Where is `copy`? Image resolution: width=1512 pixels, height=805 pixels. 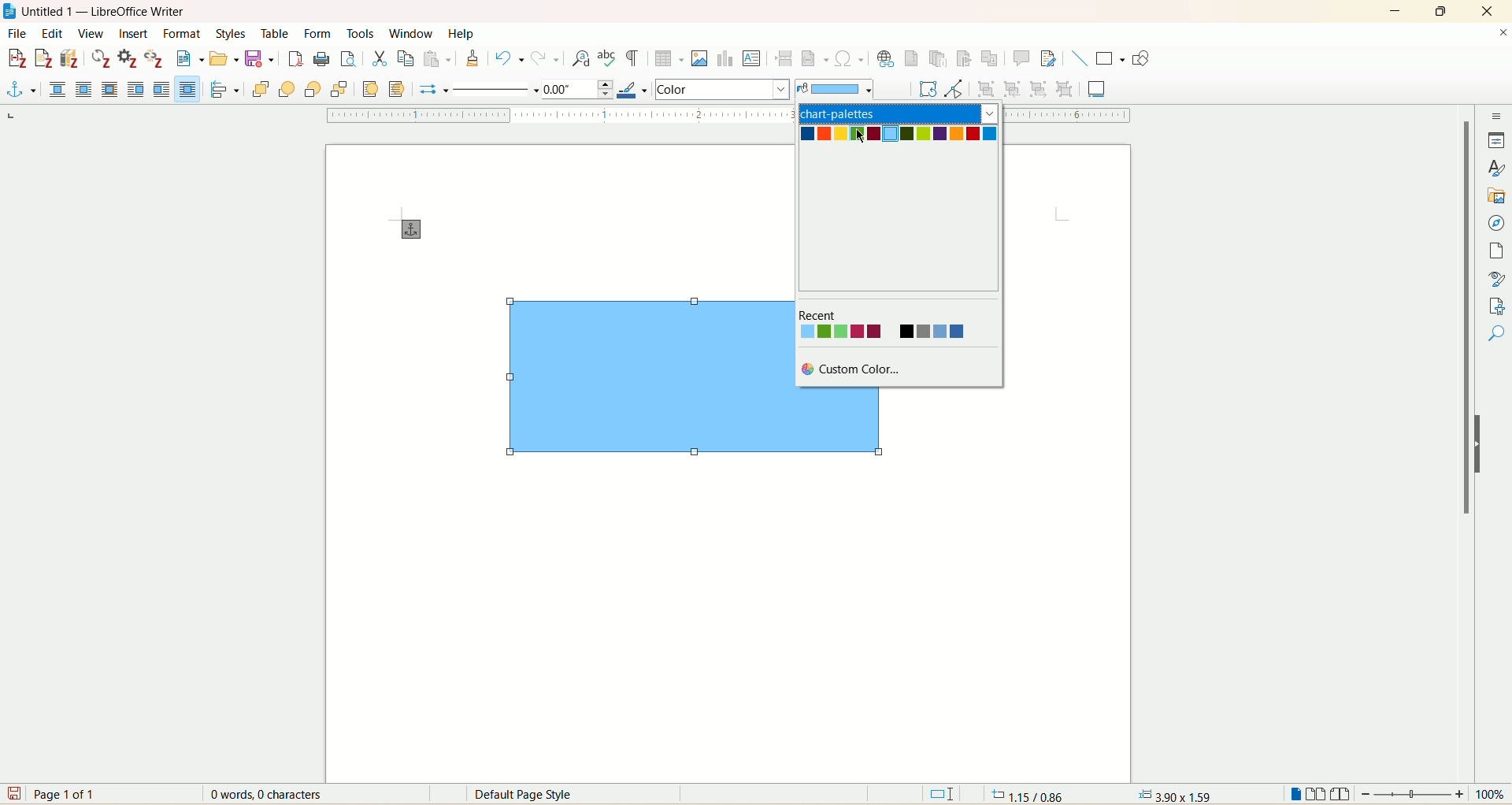 copy is located at coordinates (403, 58).